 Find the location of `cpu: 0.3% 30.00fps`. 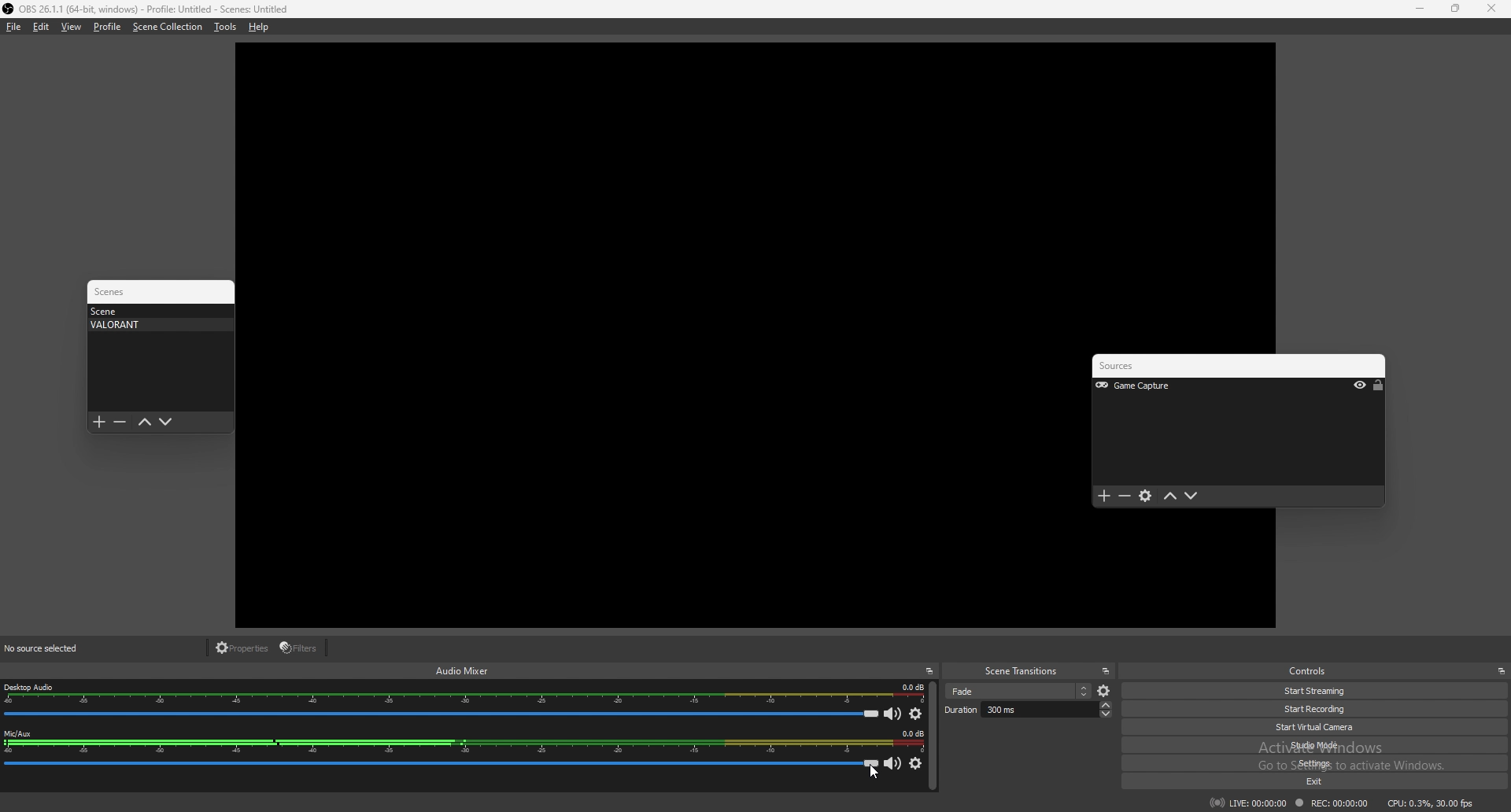

cpu: 0.3% 30.00fps is located at coordinates (1431, 802).